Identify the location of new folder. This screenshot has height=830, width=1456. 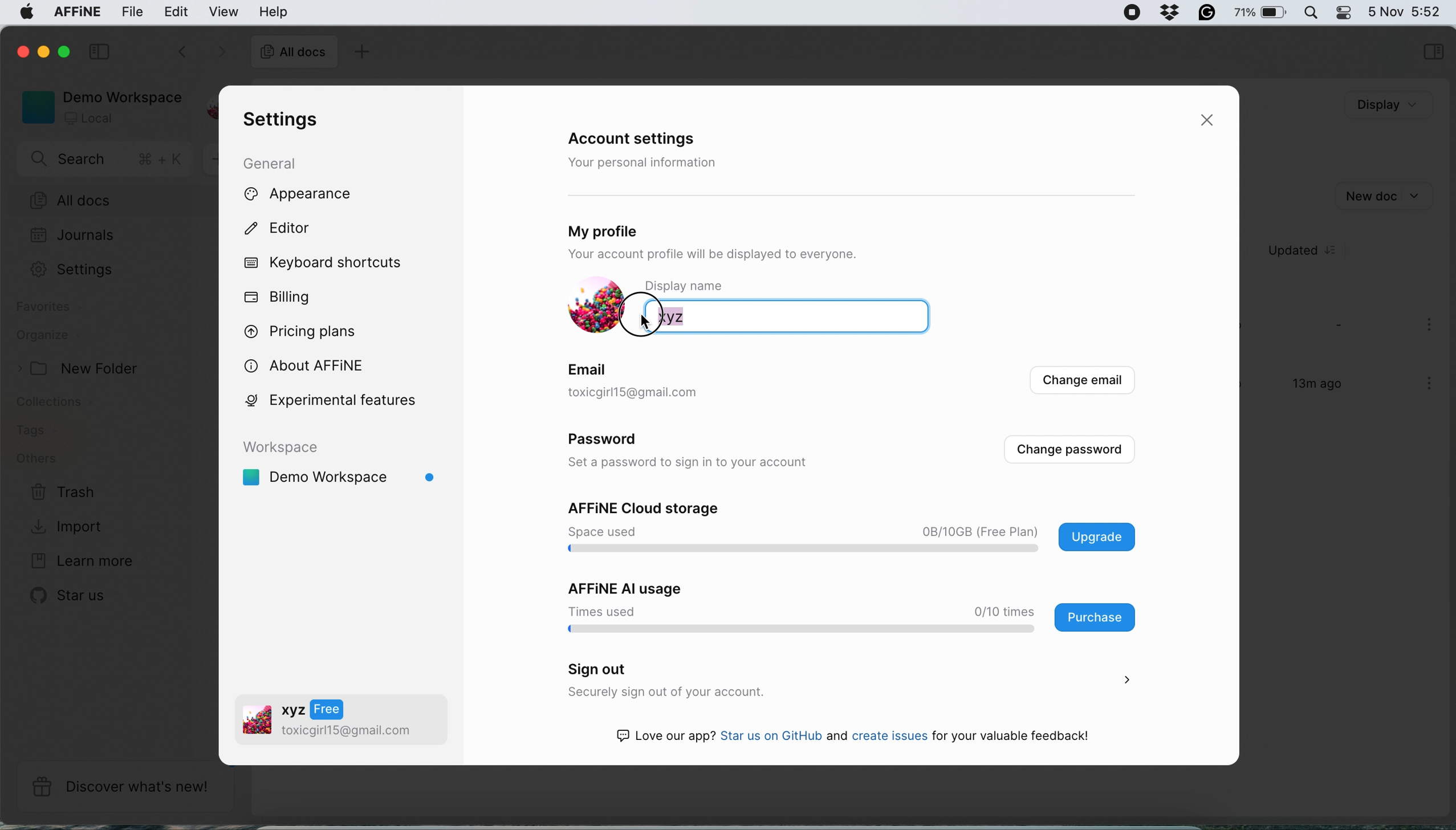
(83, 369).